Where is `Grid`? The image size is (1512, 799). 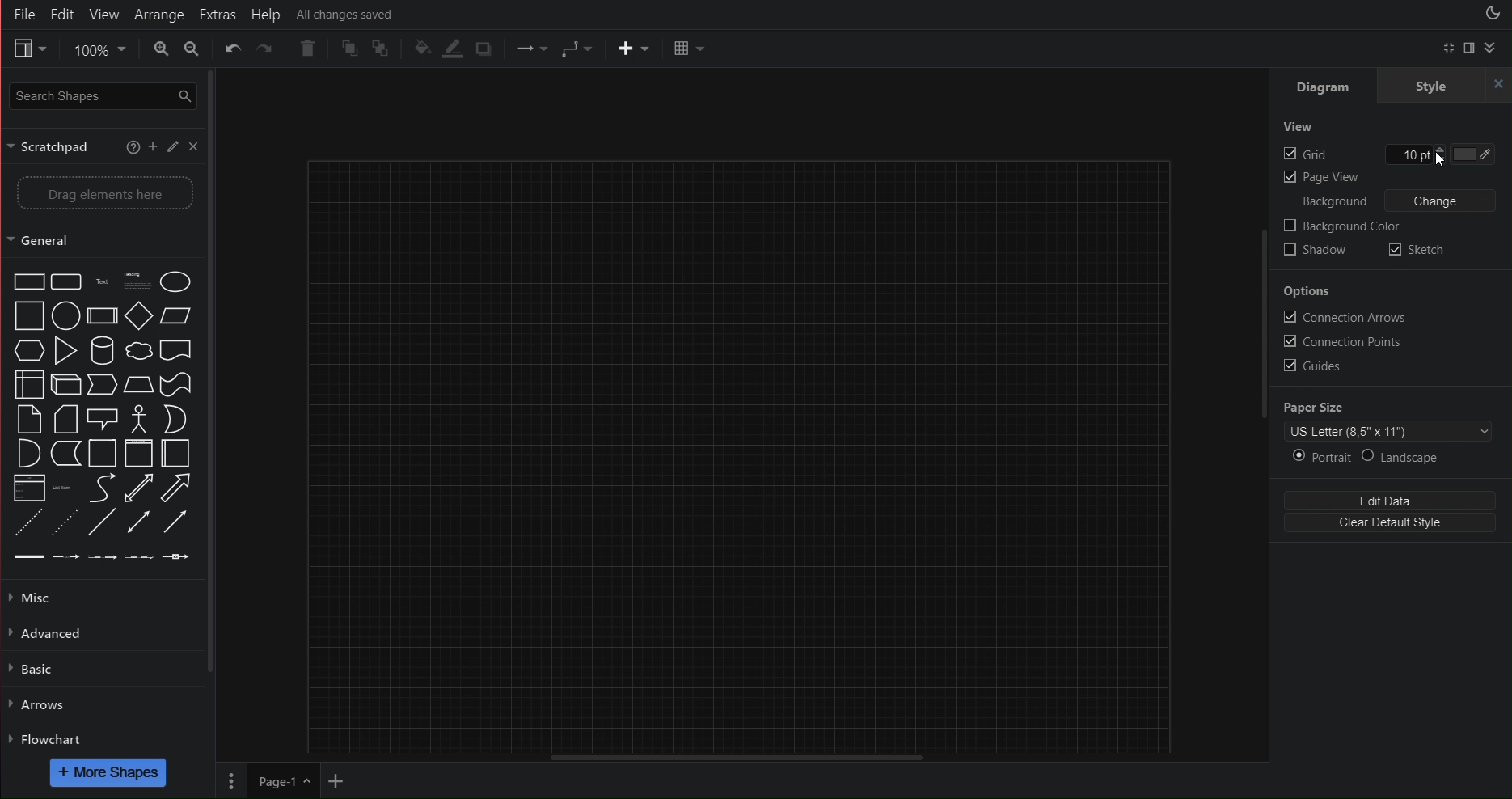 Grid is located at coordinates (1306, 156).